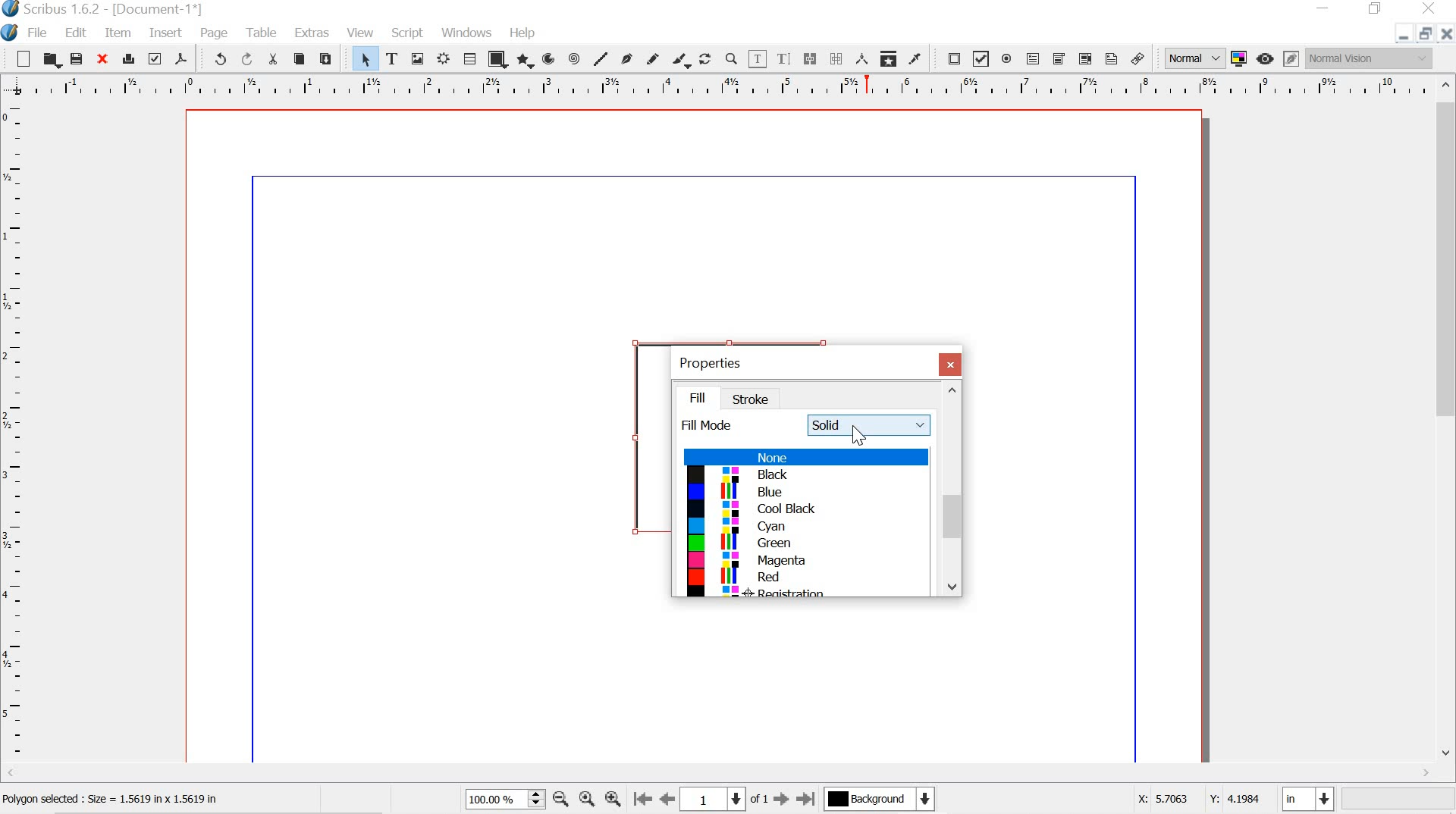 Image resolution: width=1456 pixels, height=814 pixels. I want to click on go to previous page, so click(669, 800).